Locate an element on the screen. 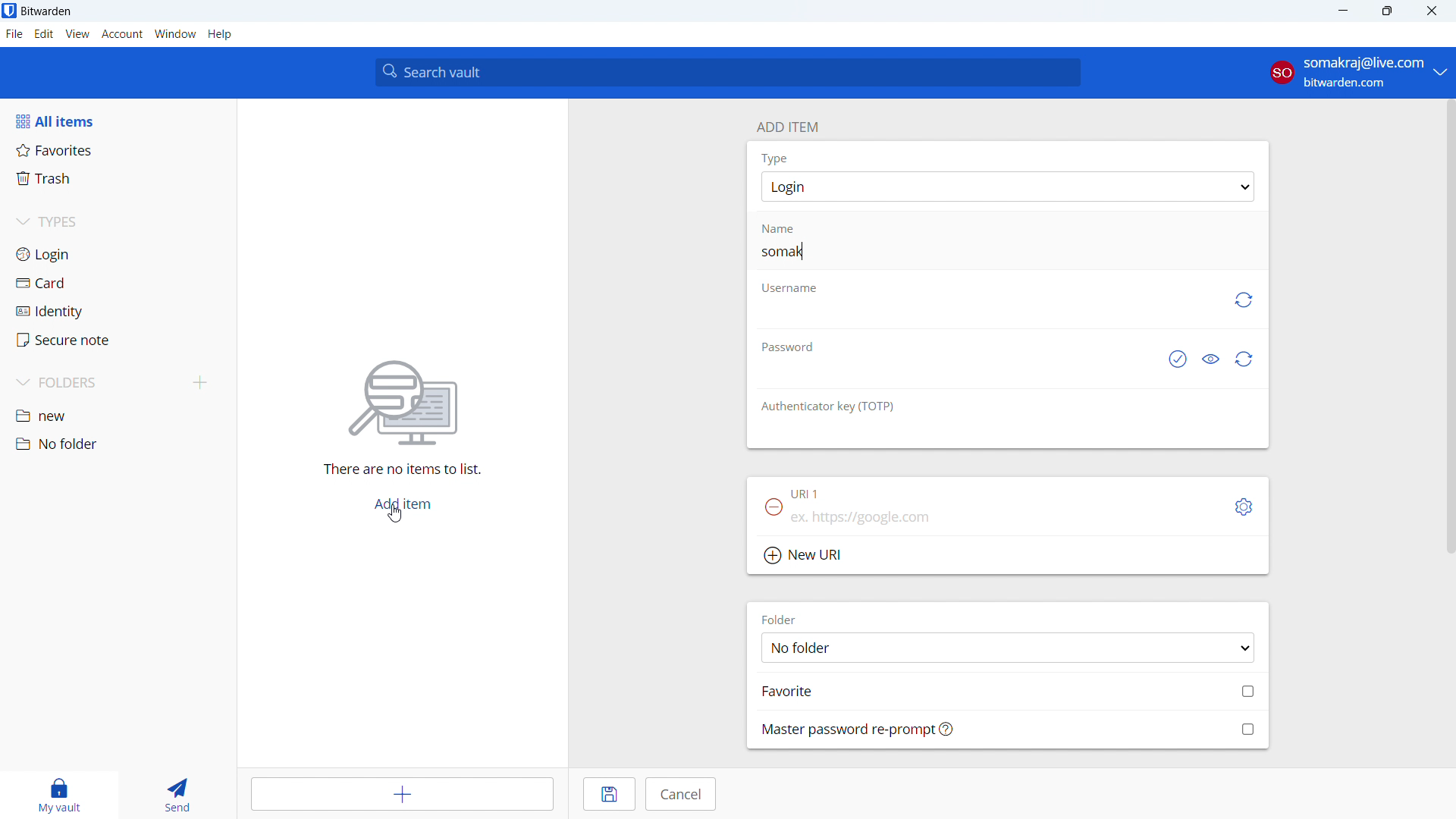 This screenshot has width=1456, height=819. window is located at coordinates (175, 34).